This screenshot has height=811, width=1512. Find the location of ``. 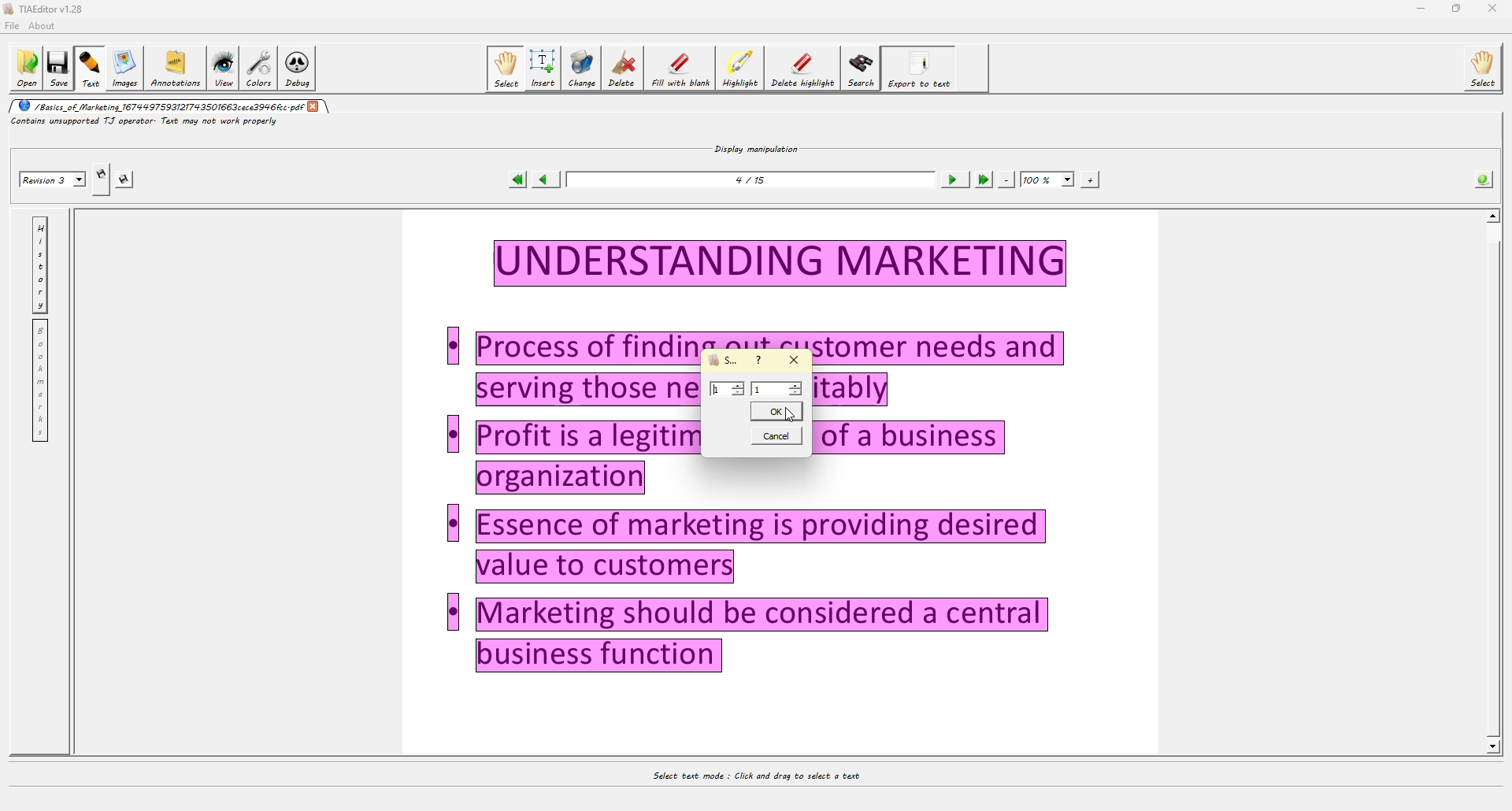

 is located at coordinates (769, 635).